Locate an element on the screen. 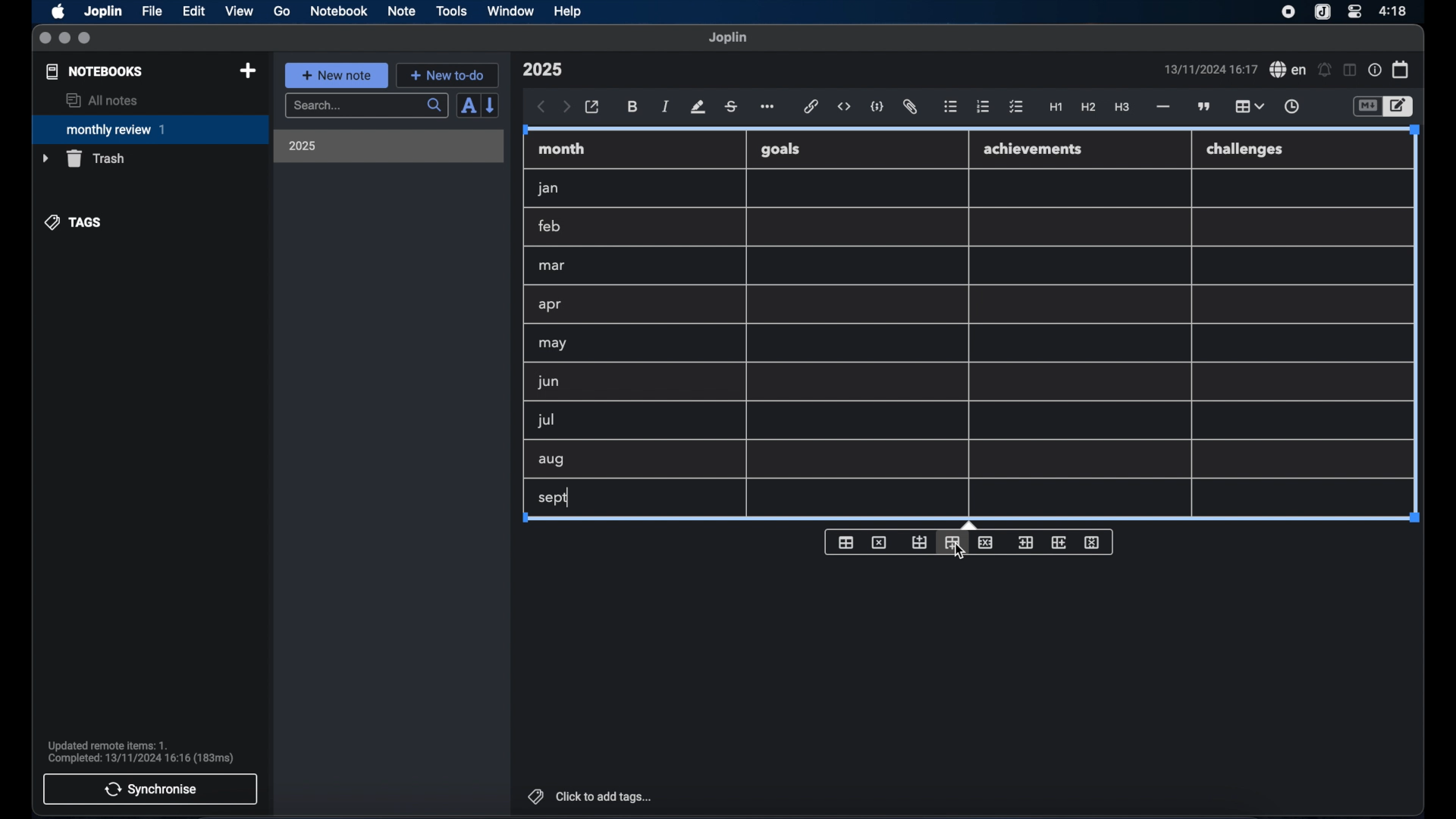  table highlighted is located at coordinates (1247, 106).